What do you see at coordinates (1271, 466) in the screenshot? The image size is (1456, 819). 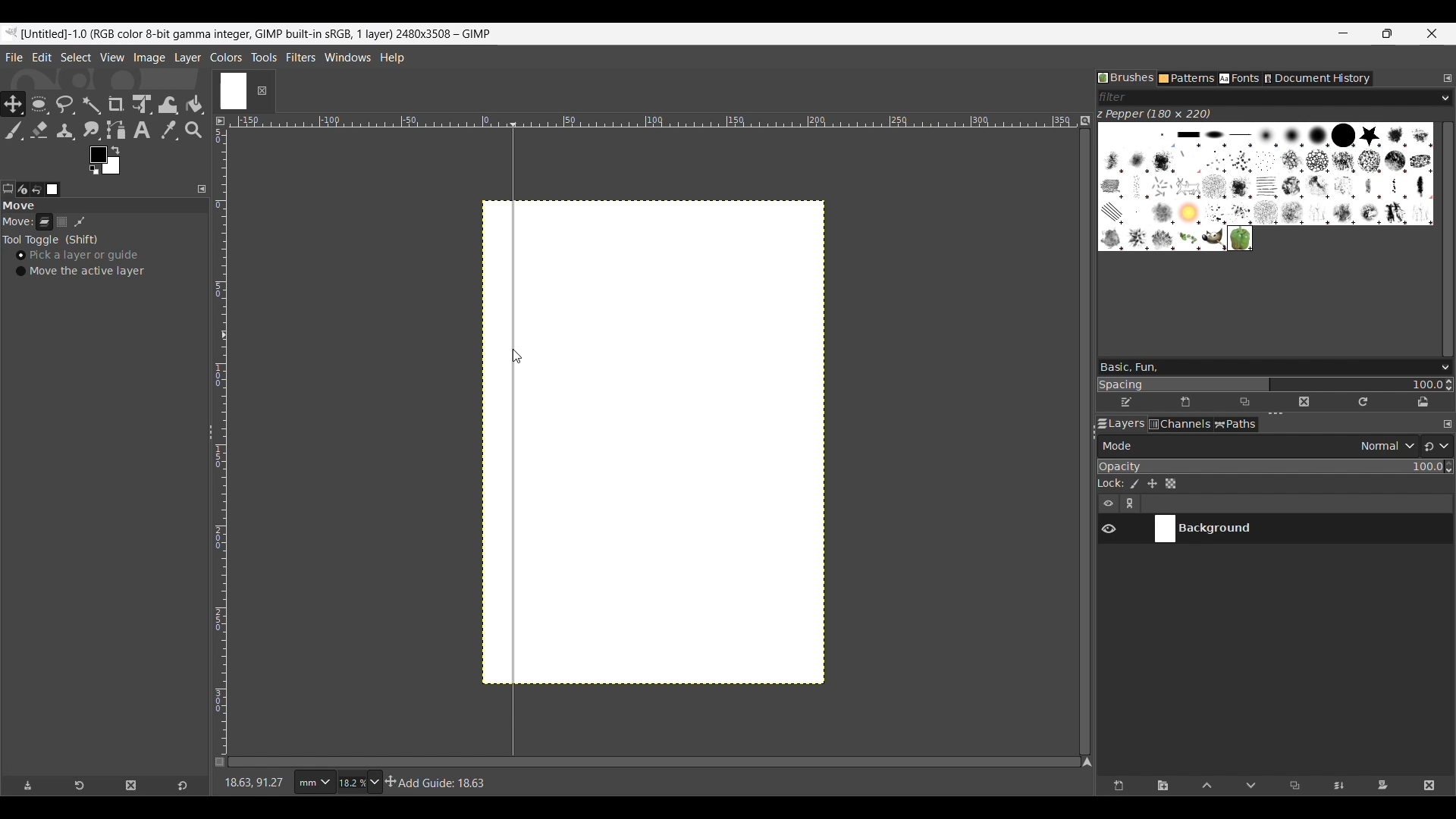 I see `Scale to change opacity` at bounding box center [1271, 466].